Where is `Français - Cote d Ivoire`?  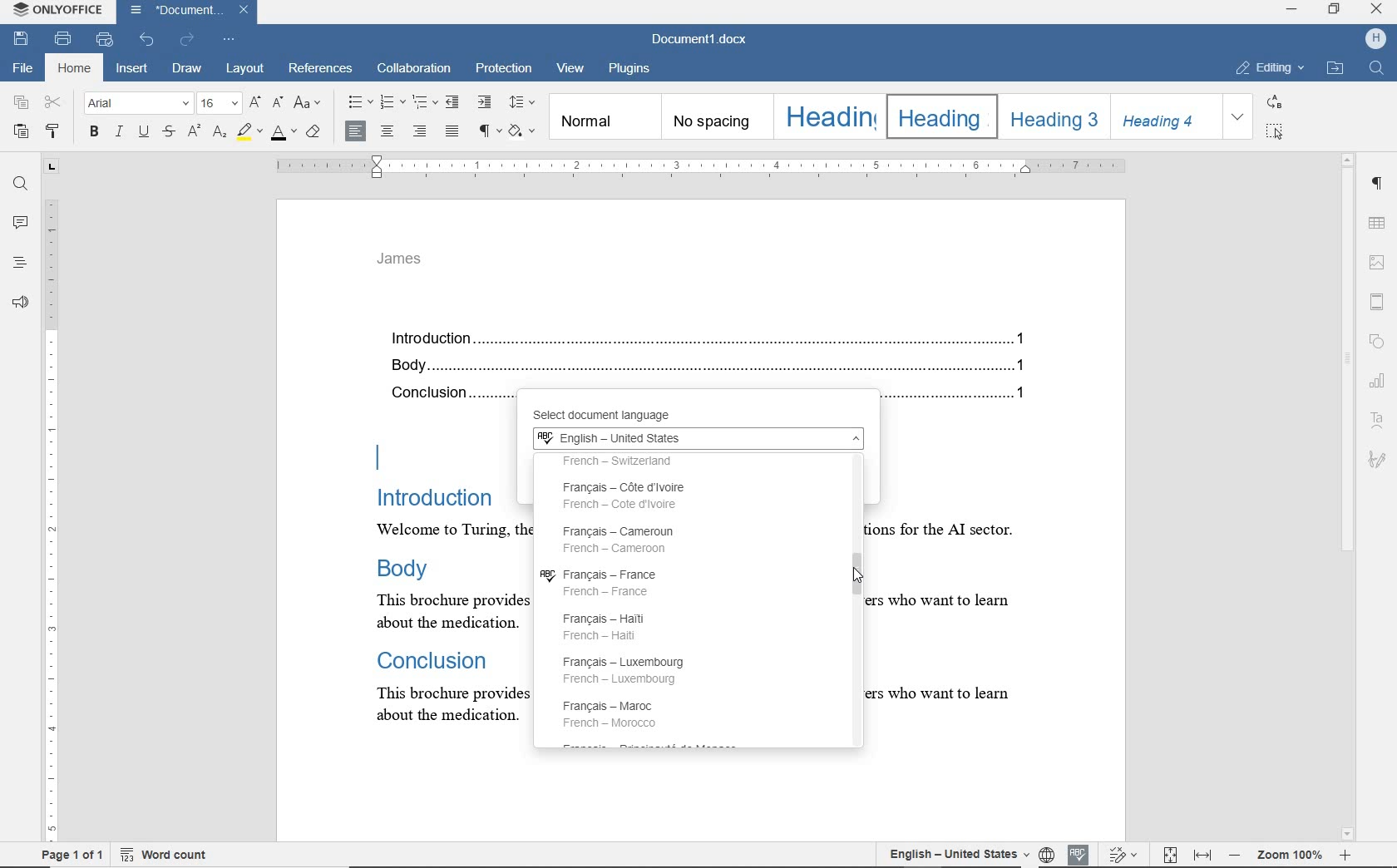
Français - Cote d Ivoire is located at coordinates (639, 496).